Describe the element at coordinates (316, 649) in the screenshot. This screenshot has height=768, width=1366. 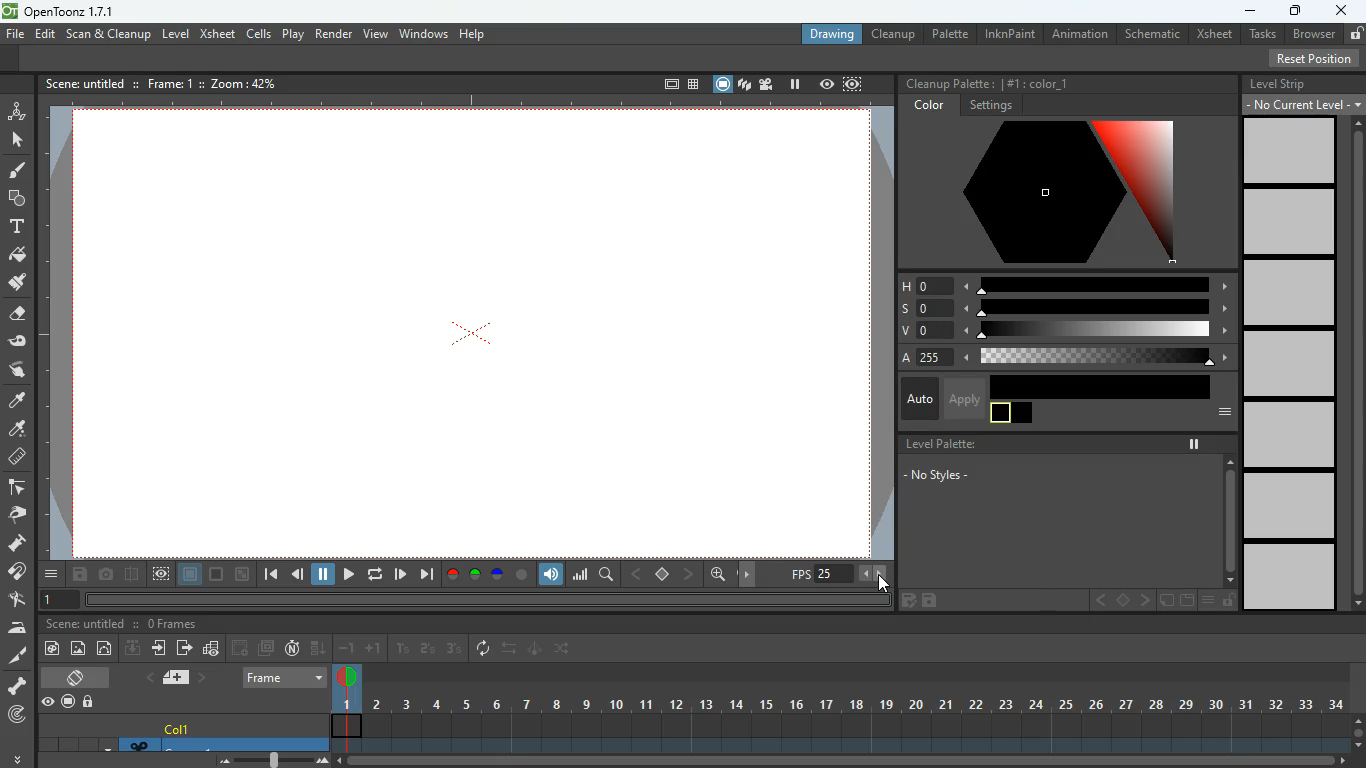
I see `down` at that location.